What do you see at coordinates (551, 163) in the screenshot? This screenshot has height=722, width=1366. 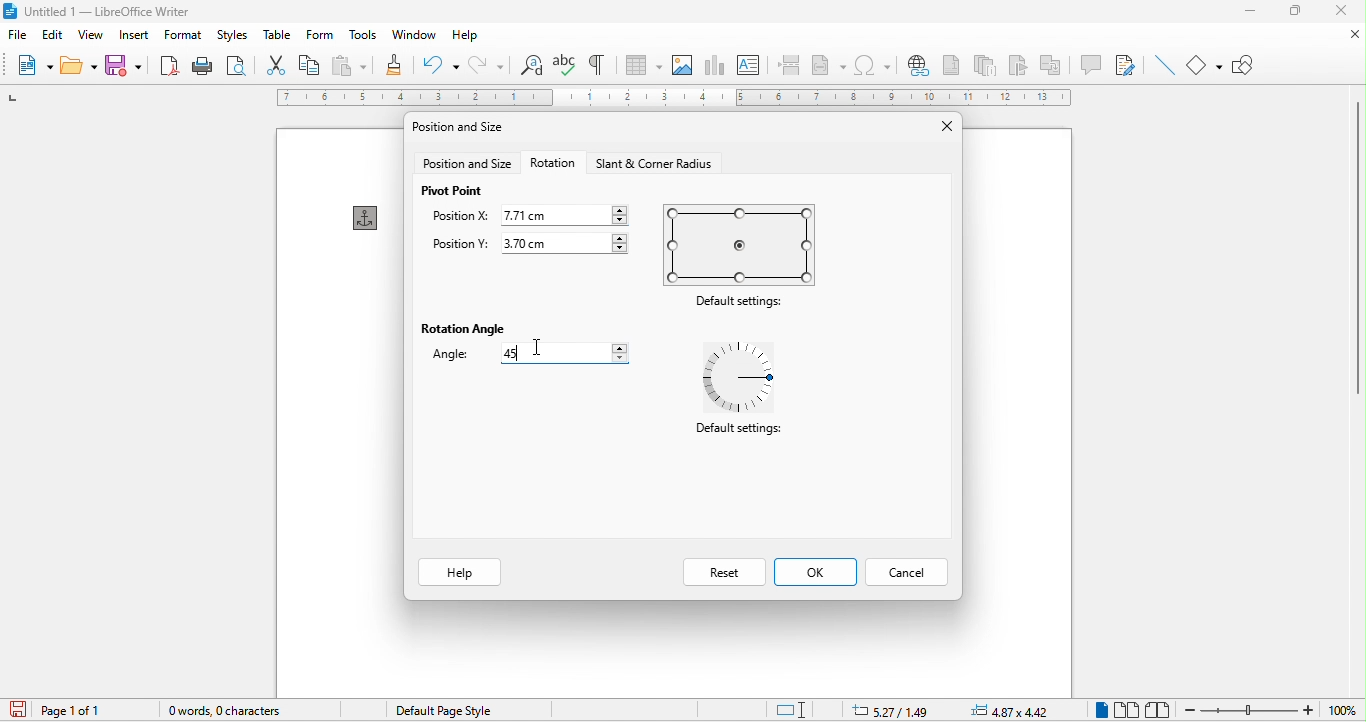 I see `rotation` at bounding box center [551, 163].